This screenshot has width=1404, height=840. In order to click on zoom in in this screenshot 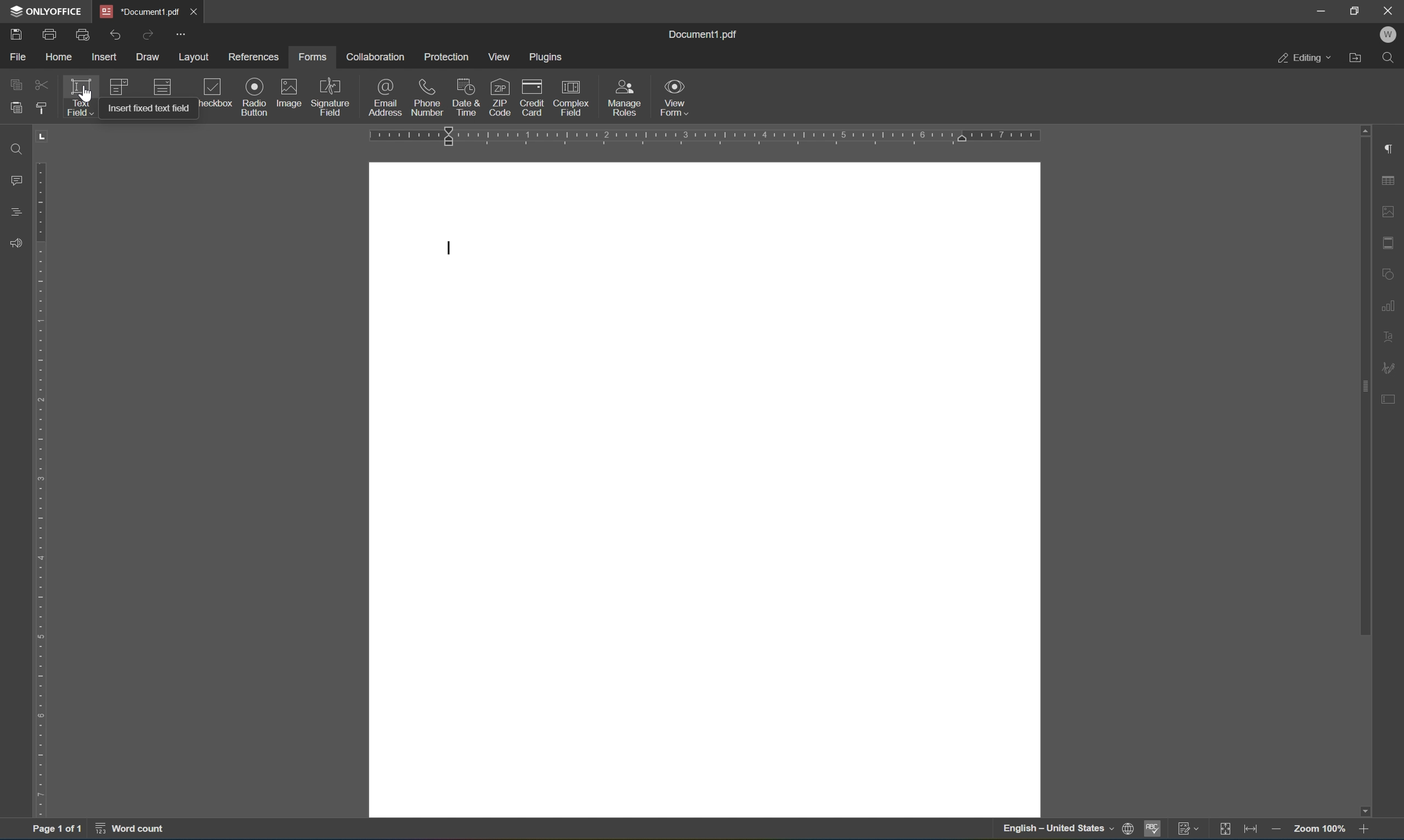, I will do `click(1368, 830)`.